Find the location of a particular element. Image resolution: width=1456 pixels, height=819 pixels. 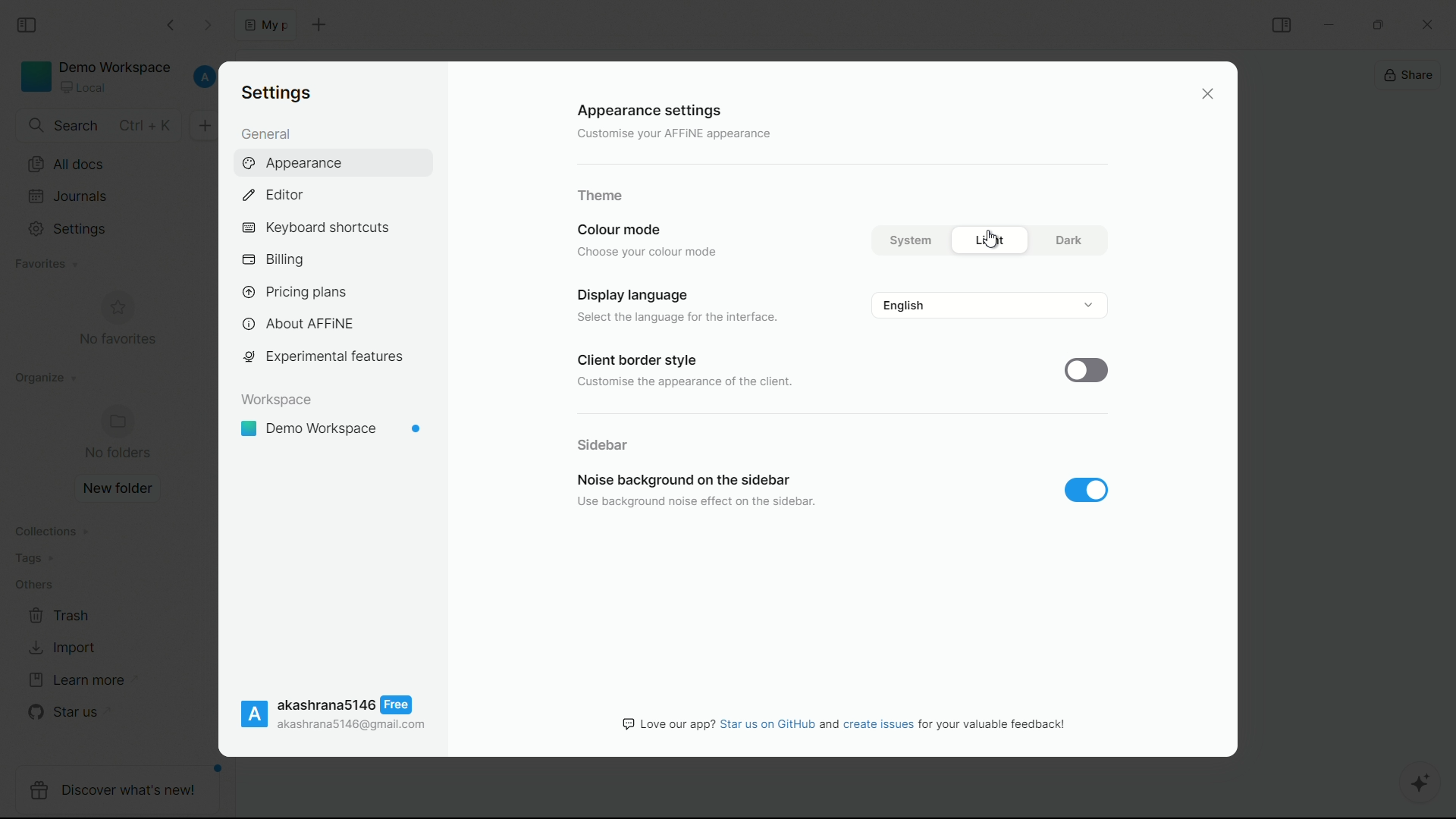

Cursor is located at coordinates (992, 242).